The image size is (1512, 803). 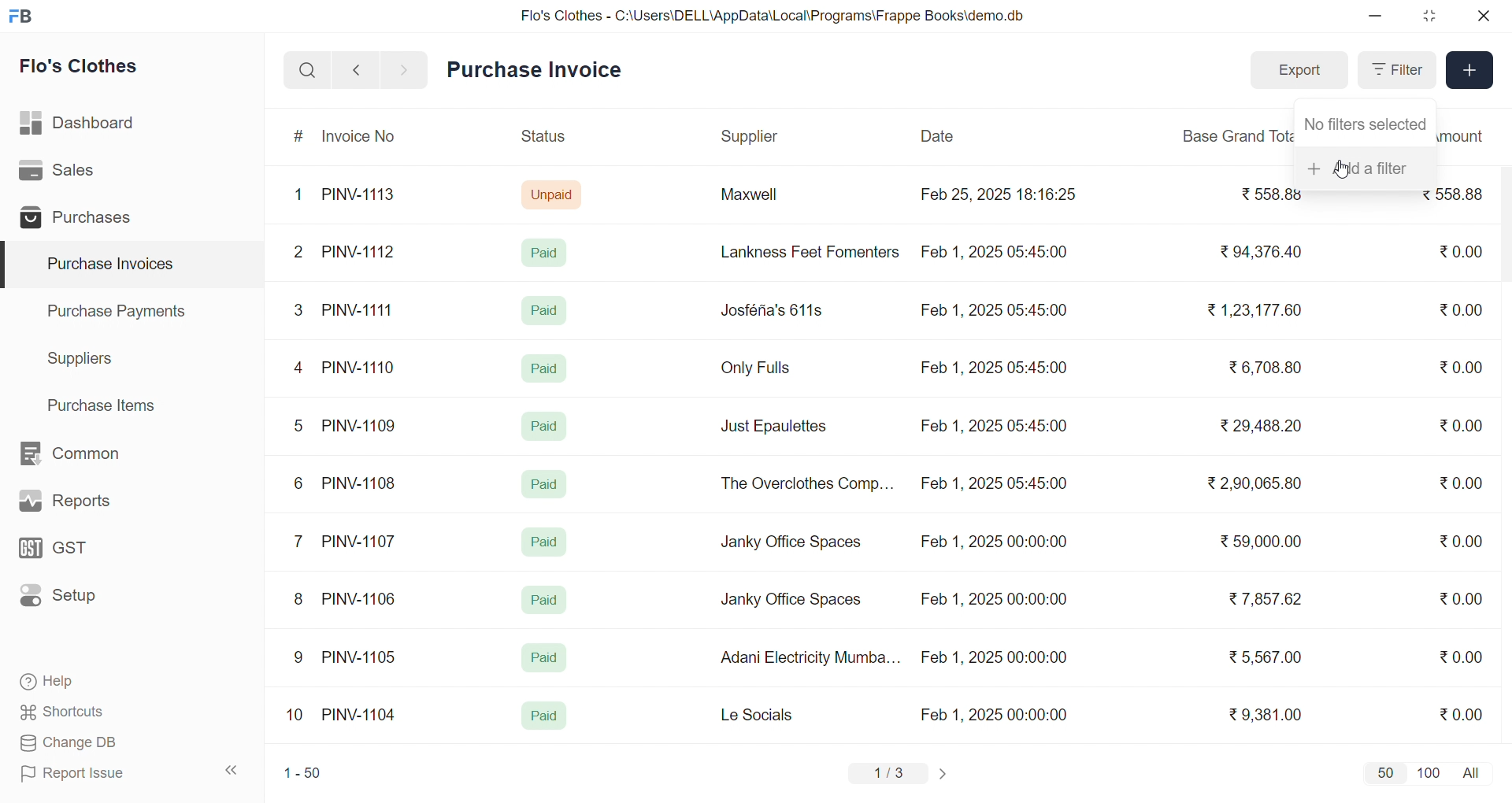 I want to click on Just Epaulettes, so click(x=780, y=427).